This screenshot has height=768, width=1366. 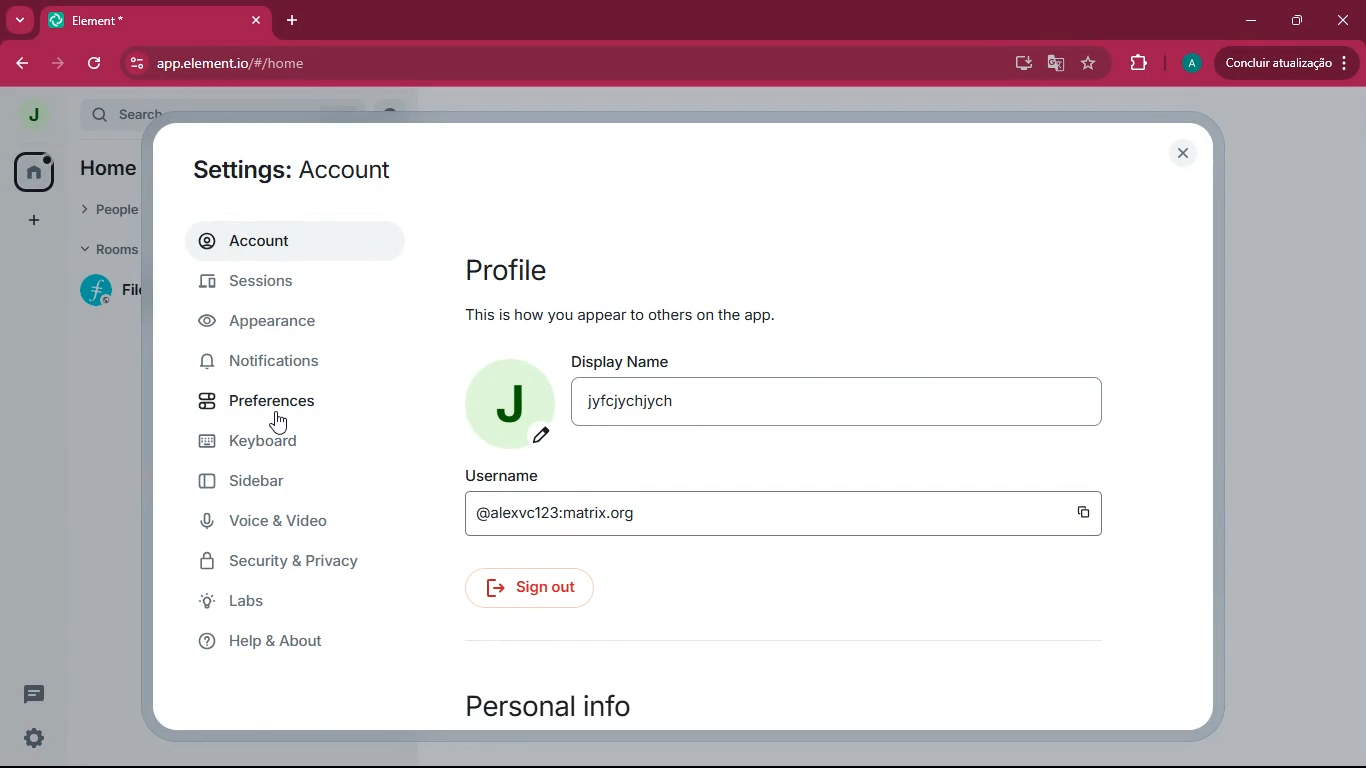 I want to click on Cursor, so click(x=277, y=423).